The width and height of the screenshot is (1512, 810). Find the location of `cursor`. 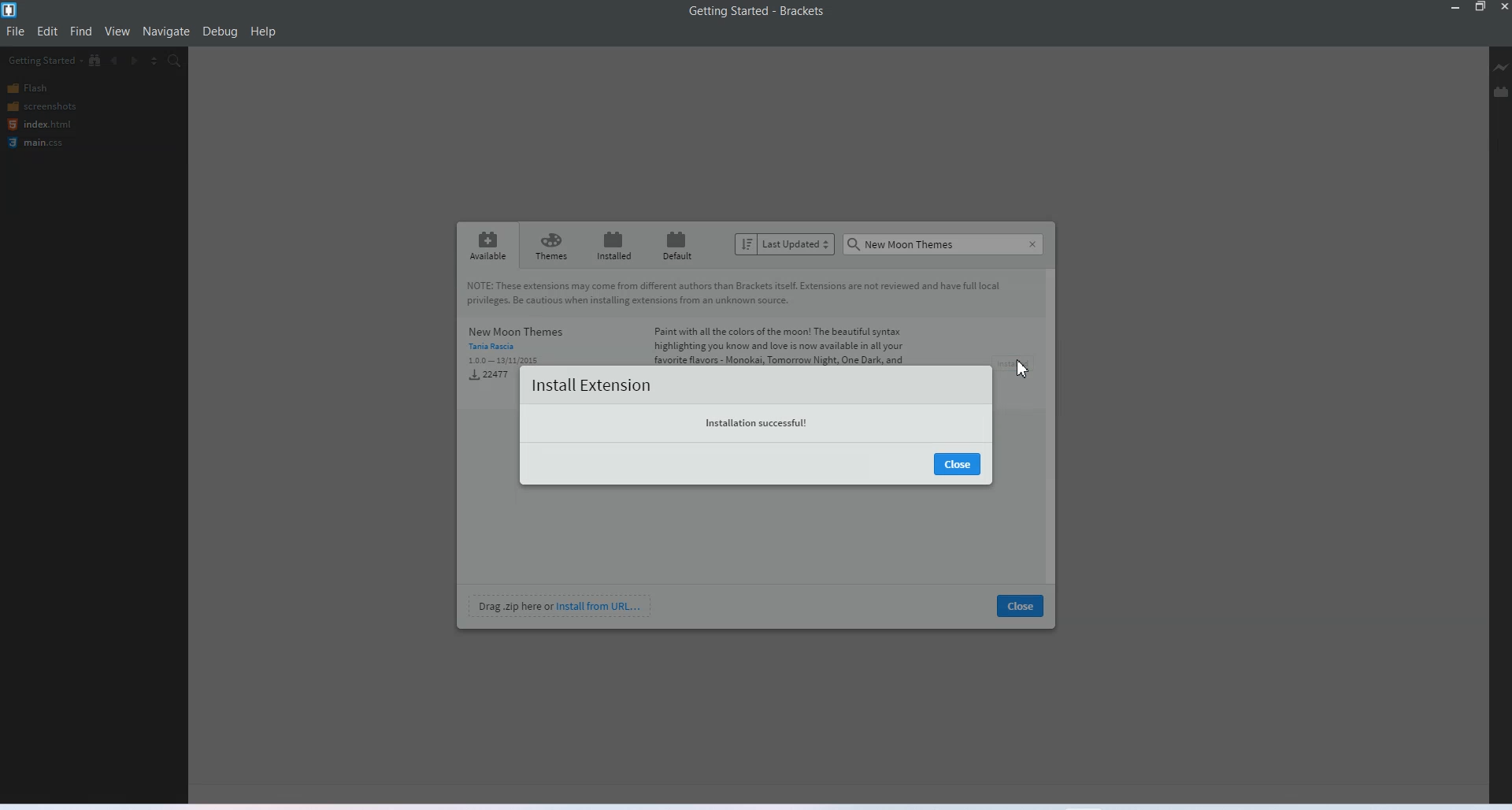

cursor is located at coordinates (1021, 366).